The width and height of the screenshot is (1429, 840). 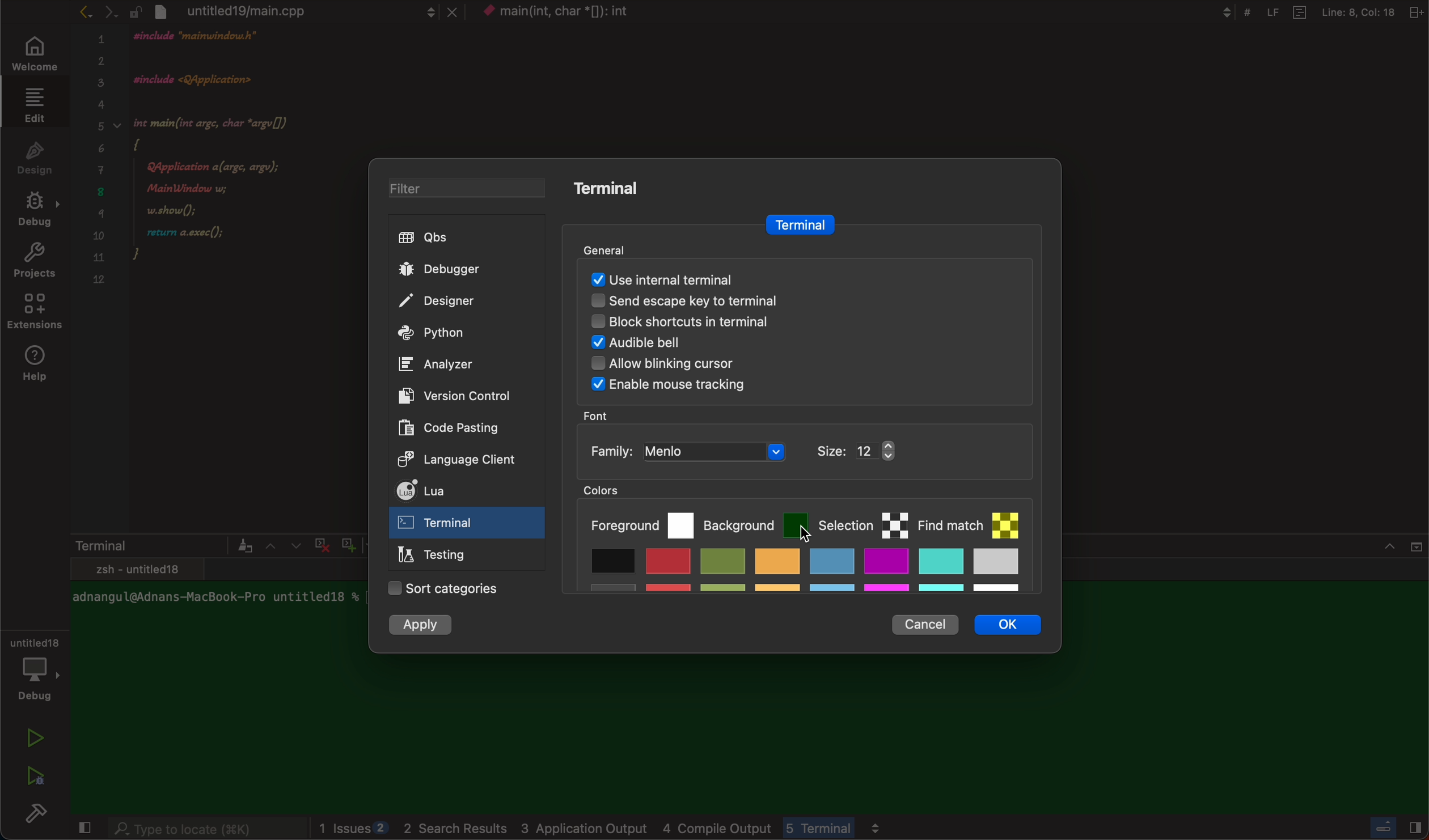 I want to click on font famioly, so click(x=765, y=452).